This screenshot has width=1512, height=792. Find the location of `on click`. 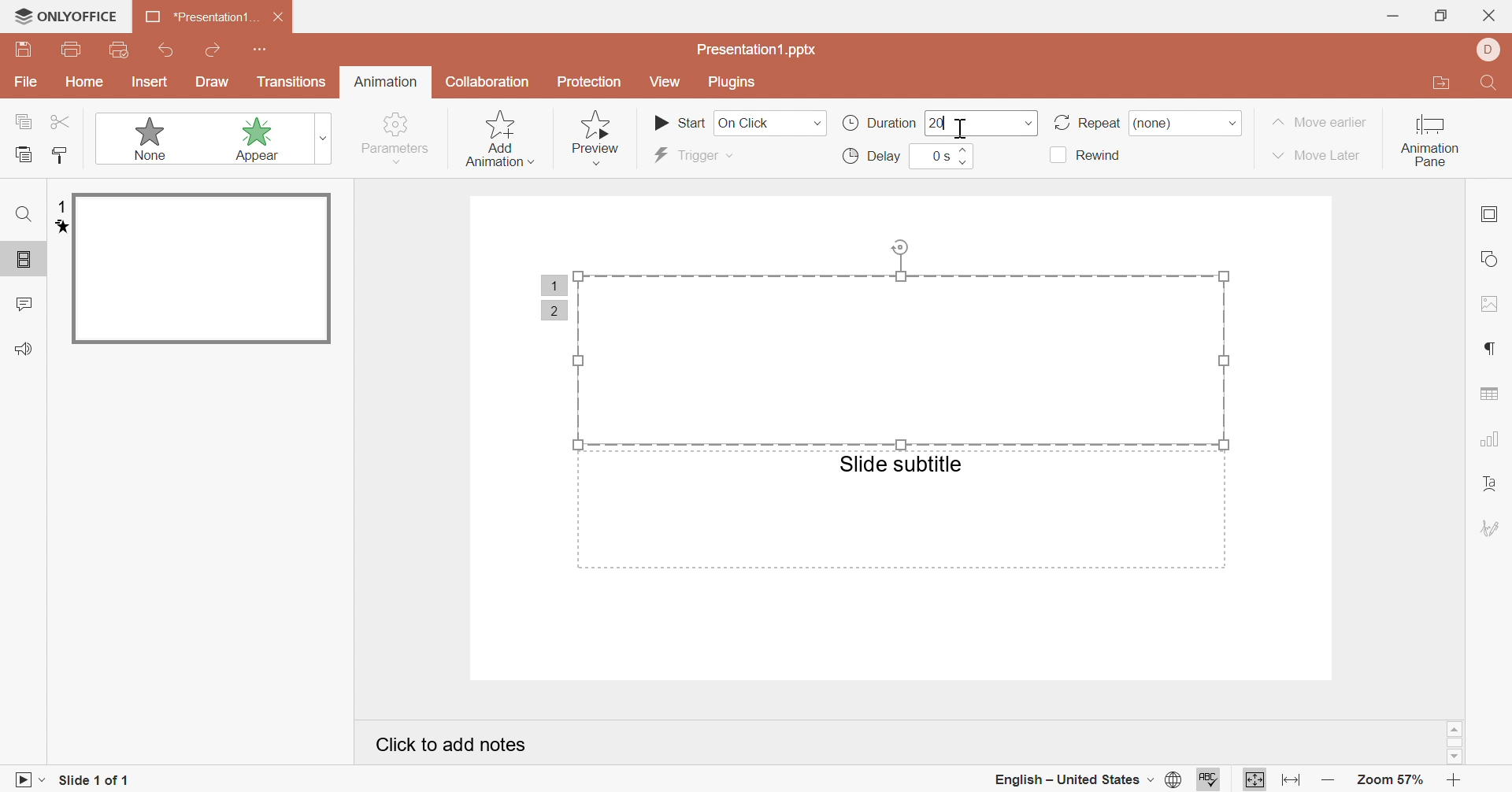

on click is located at coordinates (769, 123).